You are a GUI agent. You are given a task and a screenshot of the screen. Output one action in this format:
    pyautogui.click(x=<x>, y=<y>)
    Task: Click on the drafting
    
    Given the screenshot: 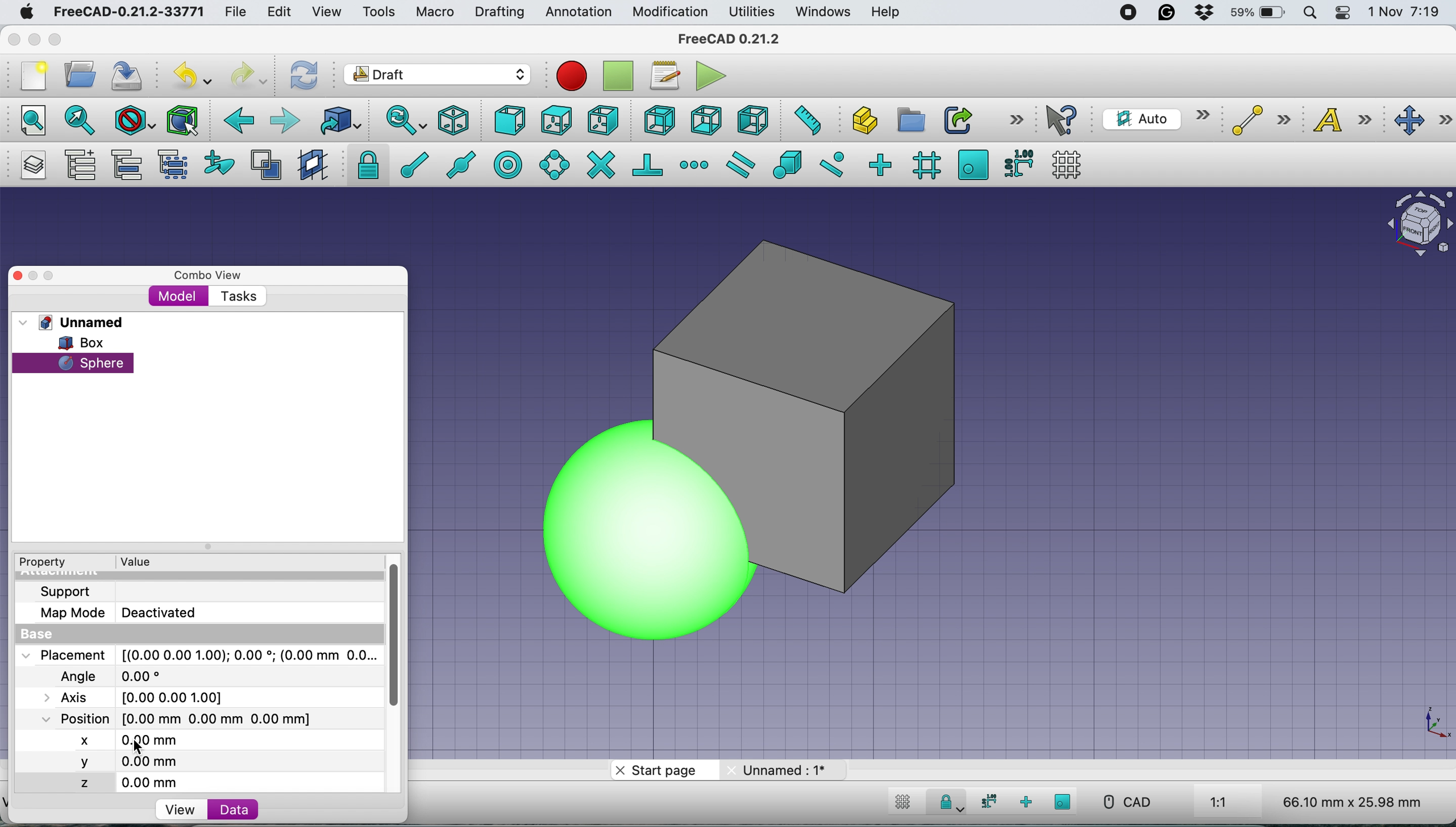 What is the action you would take?
    pyautogui.click(x=499, y=13)
    